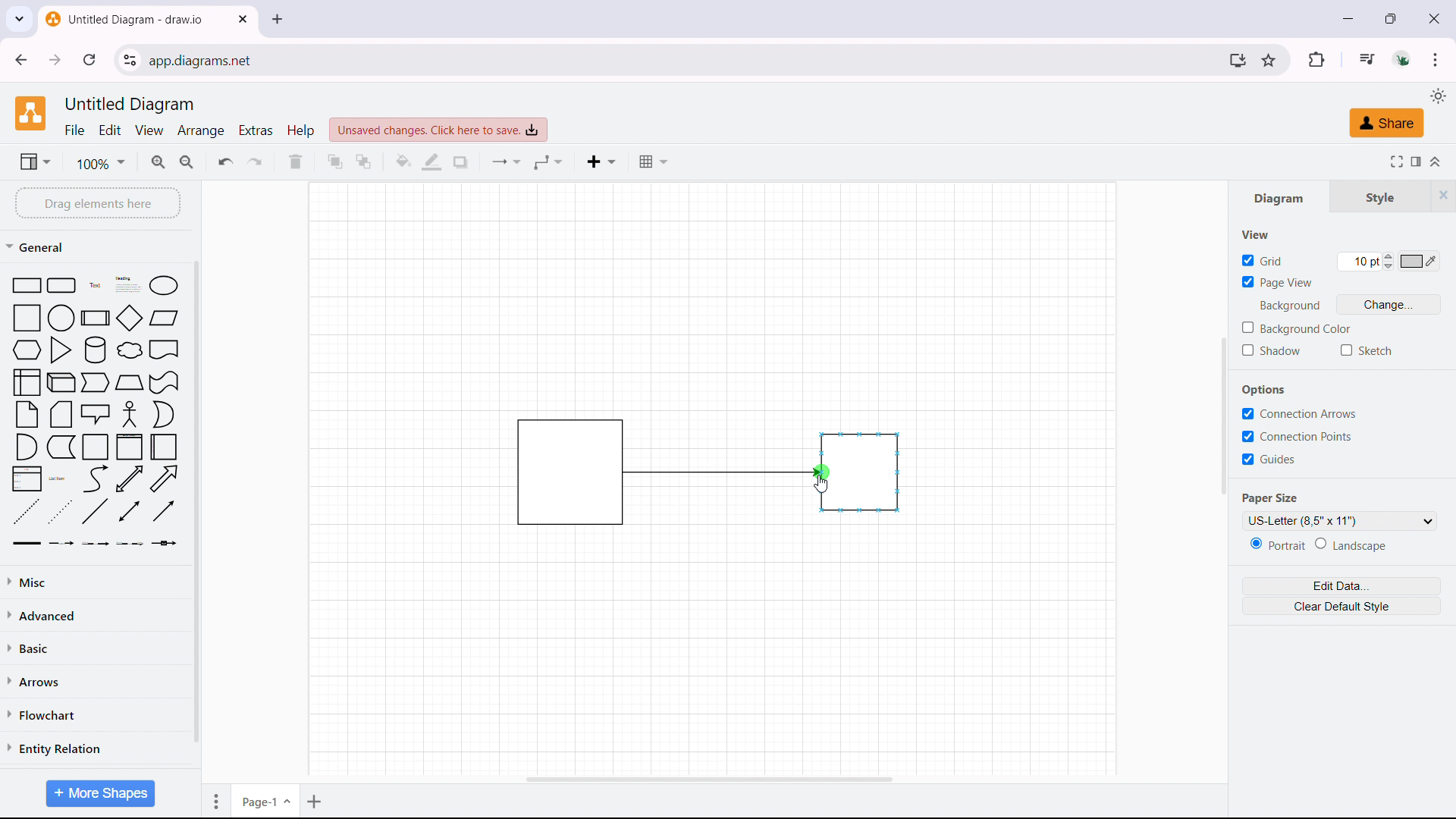 This screenshot has height=819, width=1456. Describe the element at coordinates (601, 162) in the screenshot. I see `insert` at that location.